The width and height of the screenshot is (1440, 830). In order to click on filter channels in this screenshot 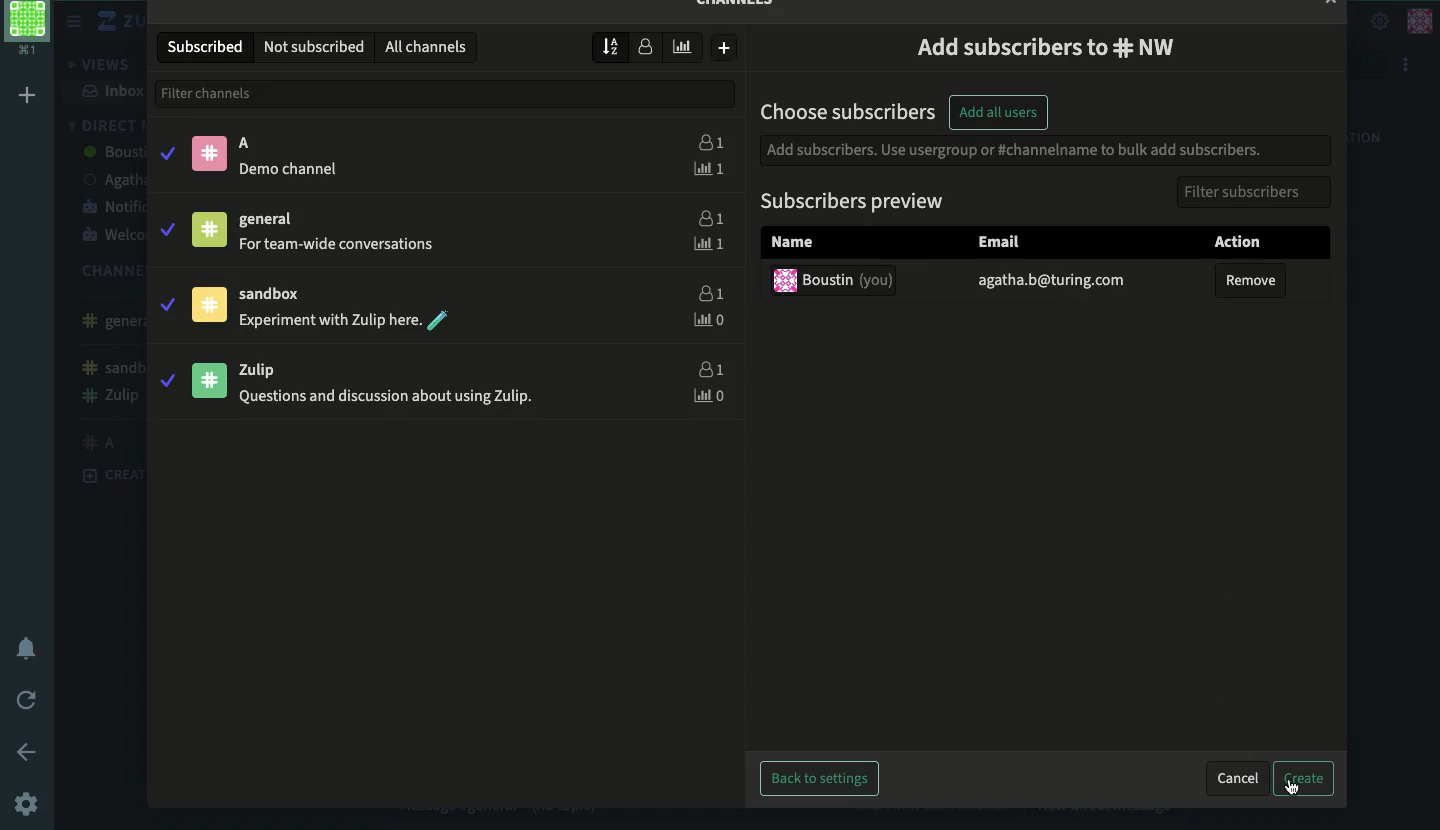, I will do `click(444, 94)`.